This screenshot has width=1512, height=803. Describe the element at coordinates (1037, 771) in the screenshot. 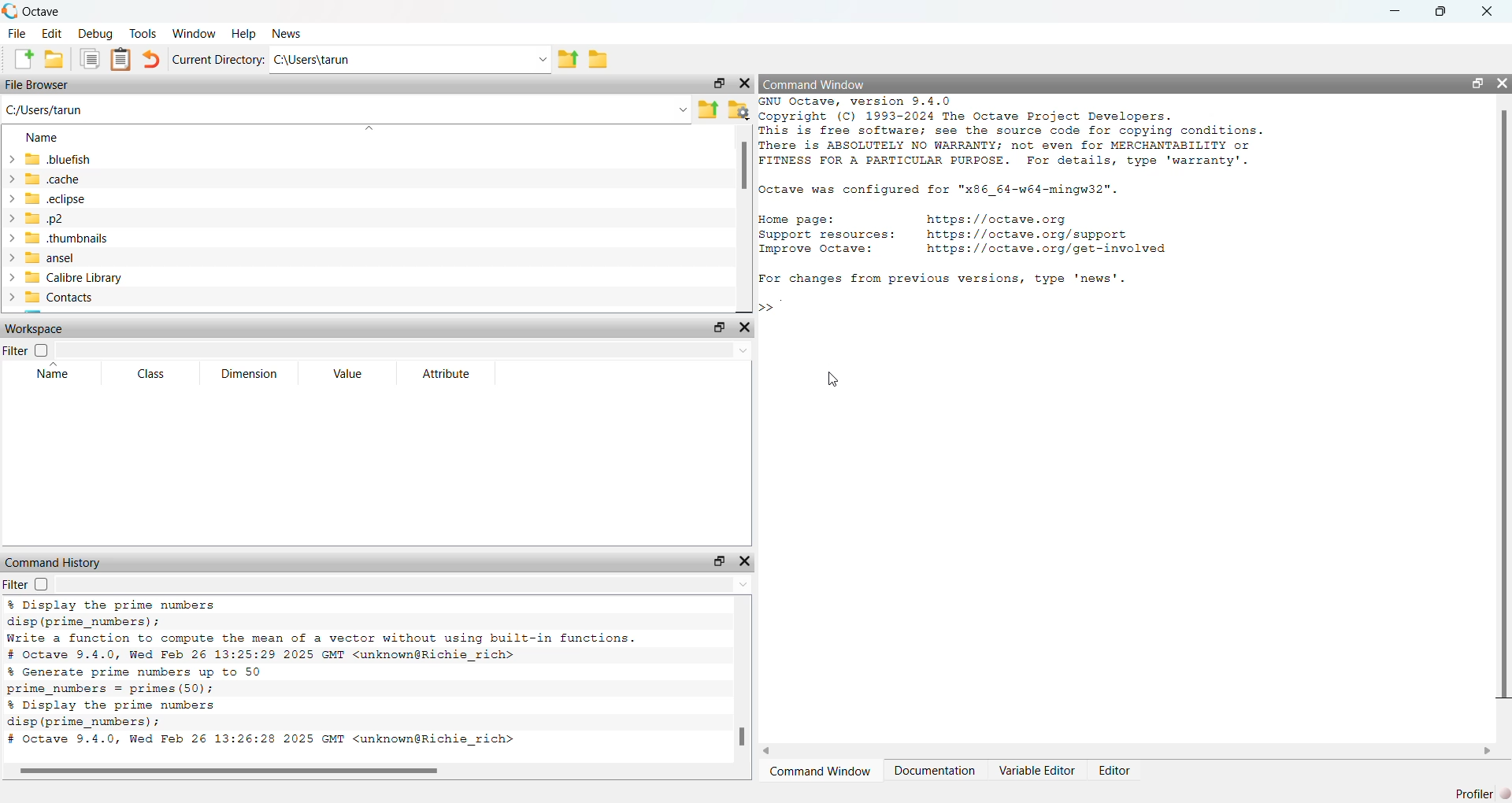

I see `Variable Editor` at that location.